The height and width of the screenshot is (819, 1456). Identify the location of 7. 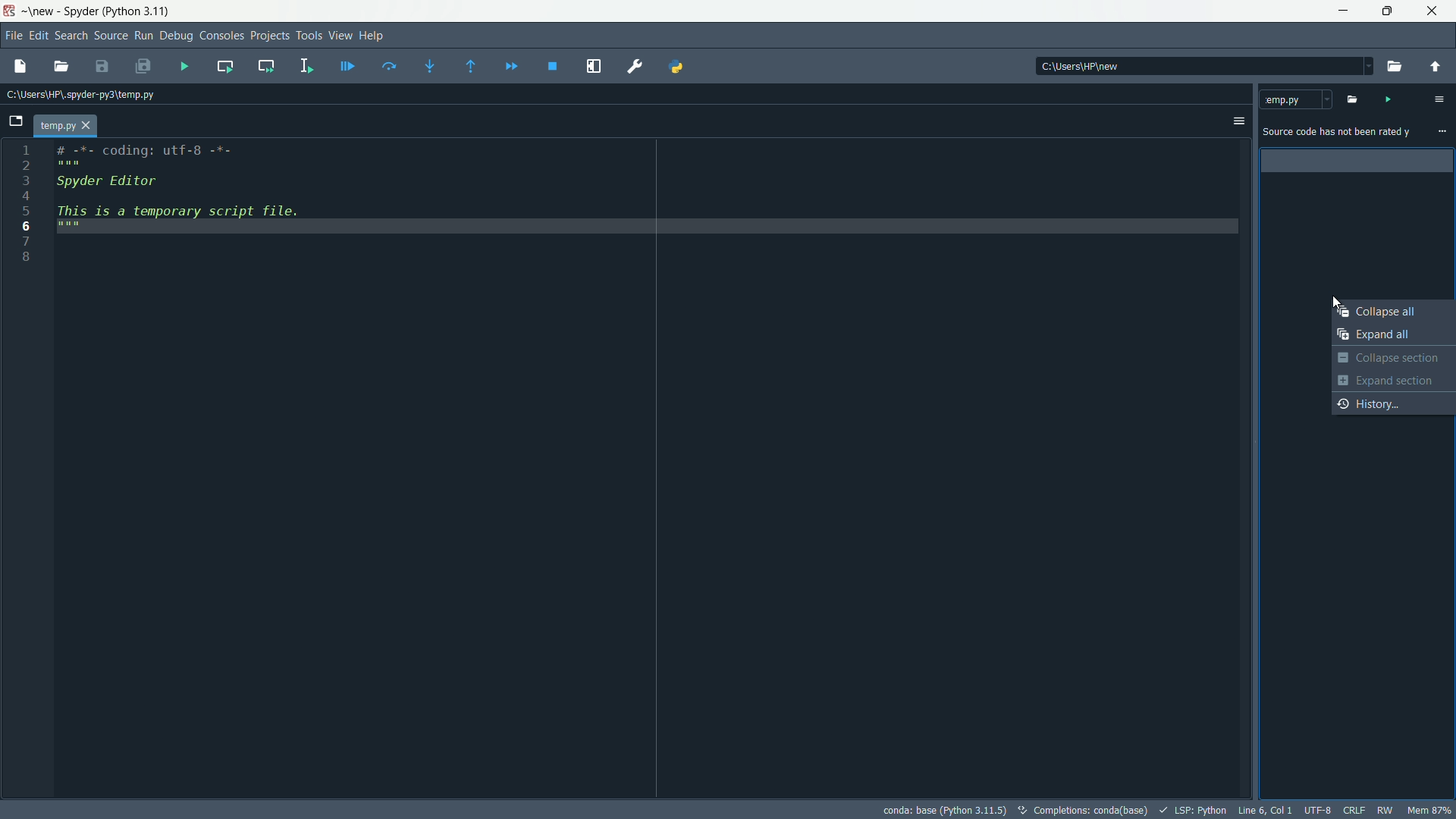
(27, 240).